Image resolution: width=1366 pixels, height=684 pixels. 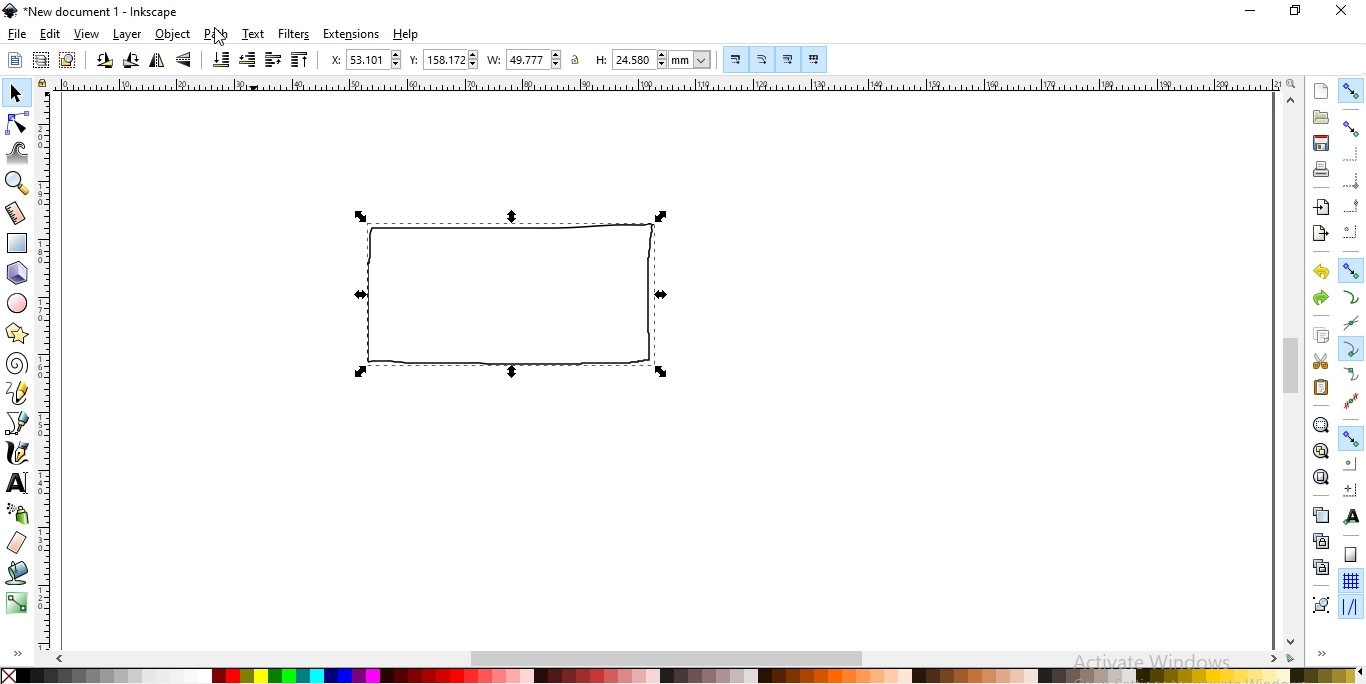 I want to click on snap bounding boxes, so click(x=1353, y=127).